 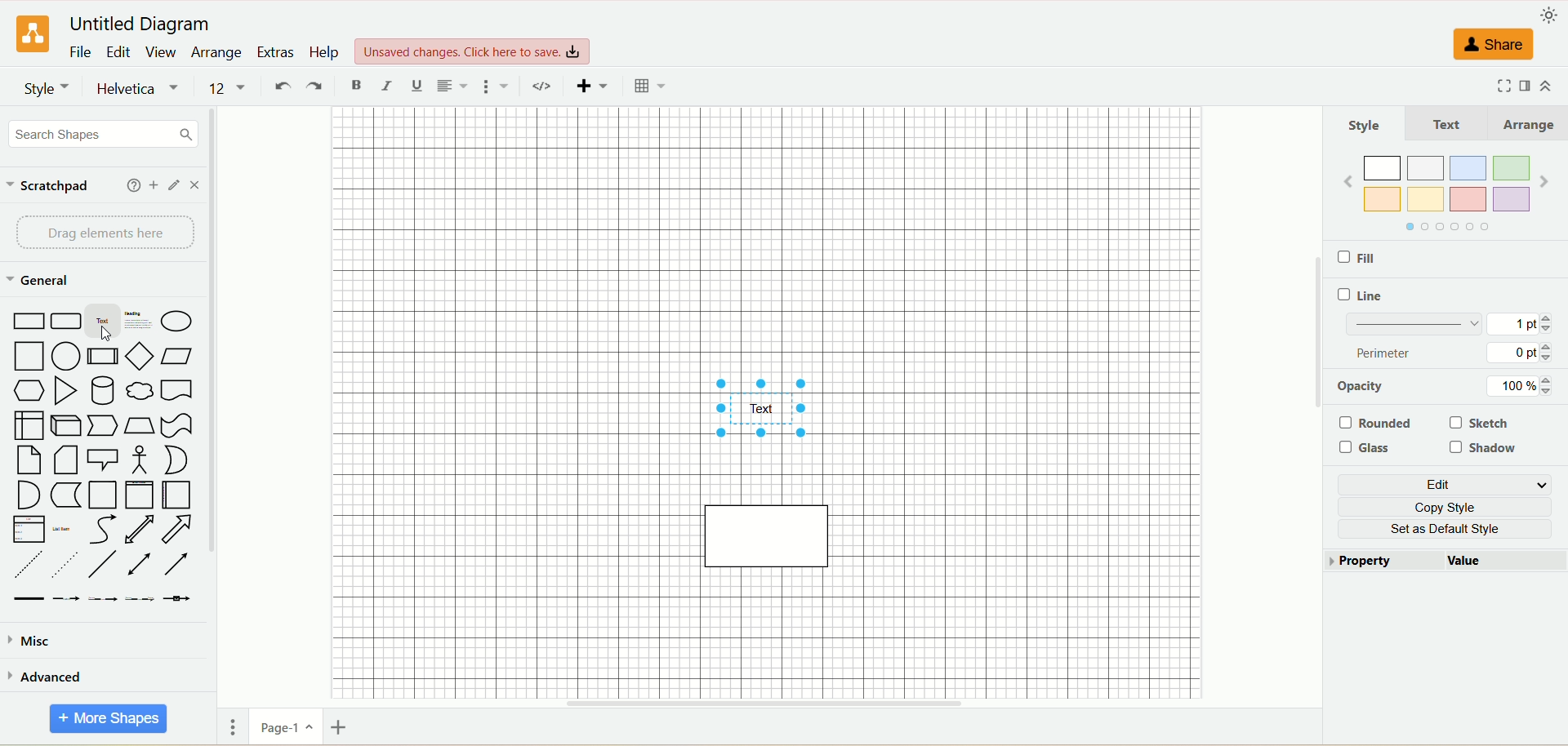 I want to click on search shapes, so click(x=105, y=136).